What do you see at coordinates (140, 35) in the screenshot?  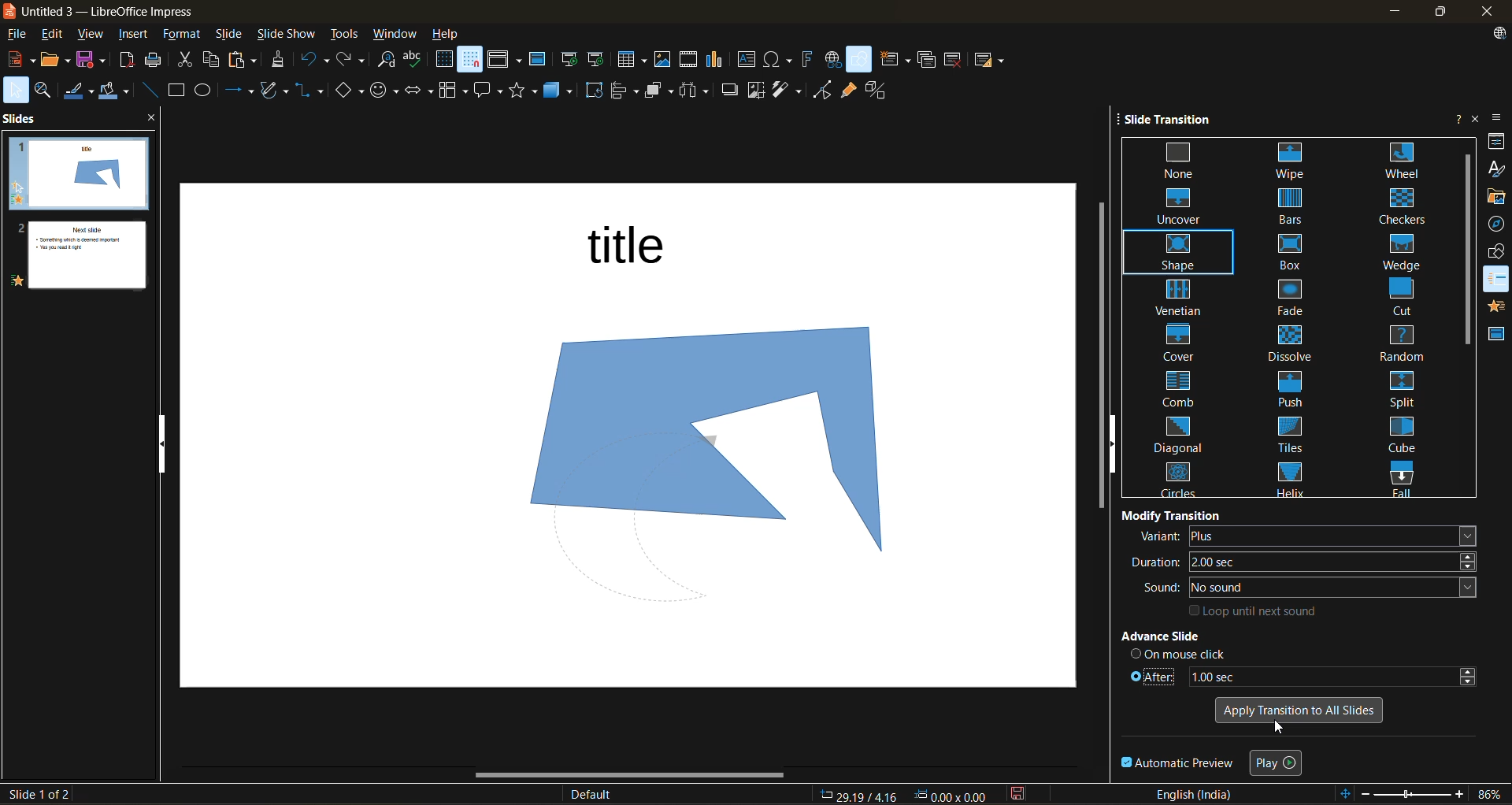 I see `insert` at bounding box center [140, 35].